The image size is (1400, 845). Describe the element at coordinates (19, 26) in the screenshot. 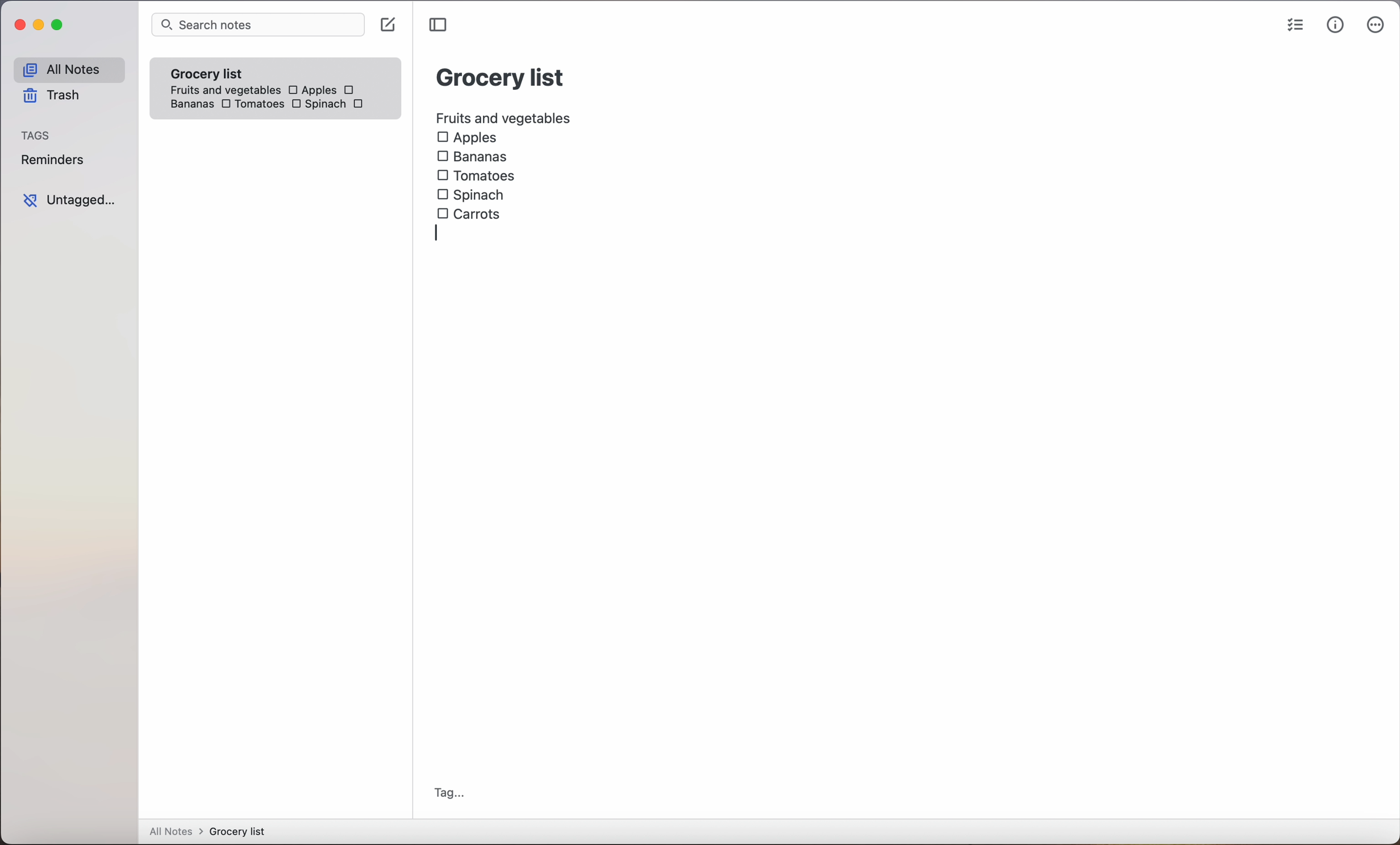

I see `close Simplenote` at that location.